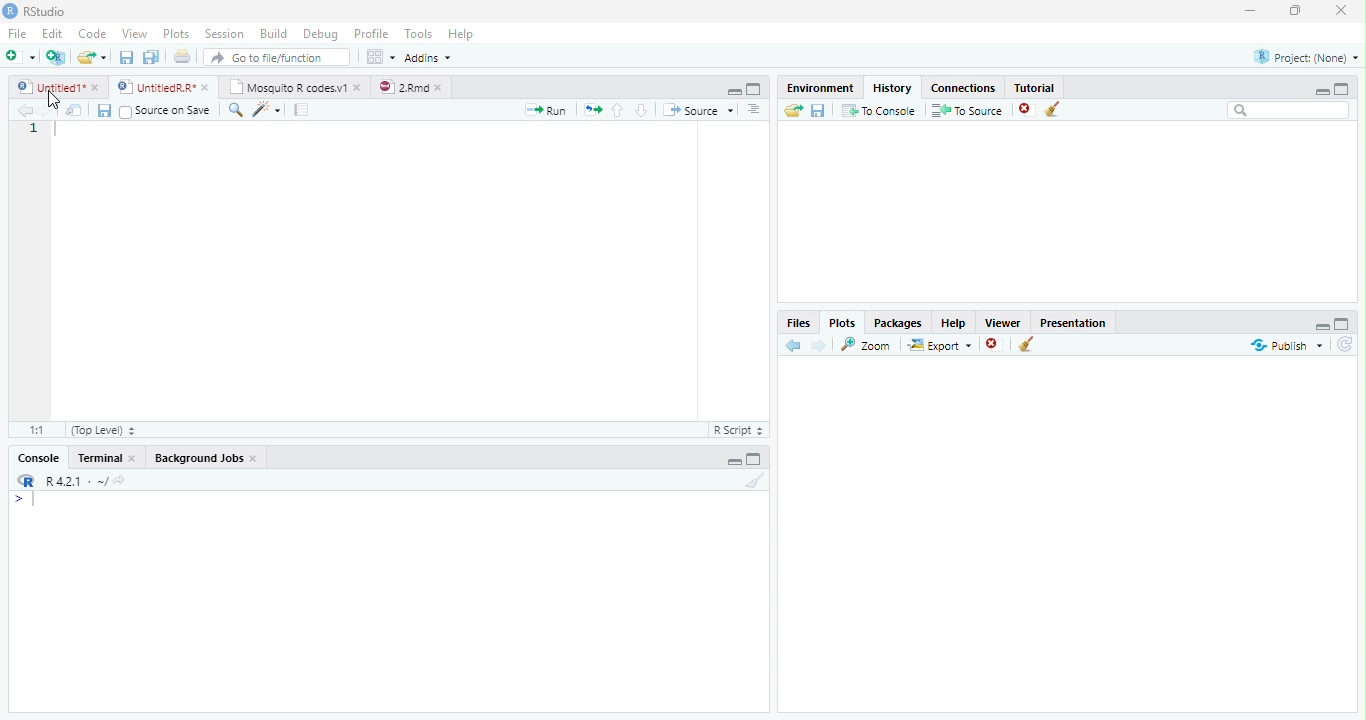 The height and width of the screenshot is (720, 1366). What do you see at coordinates (819, 110) in the screenshot?
I see `Save File` at bounding box center [819, 110].